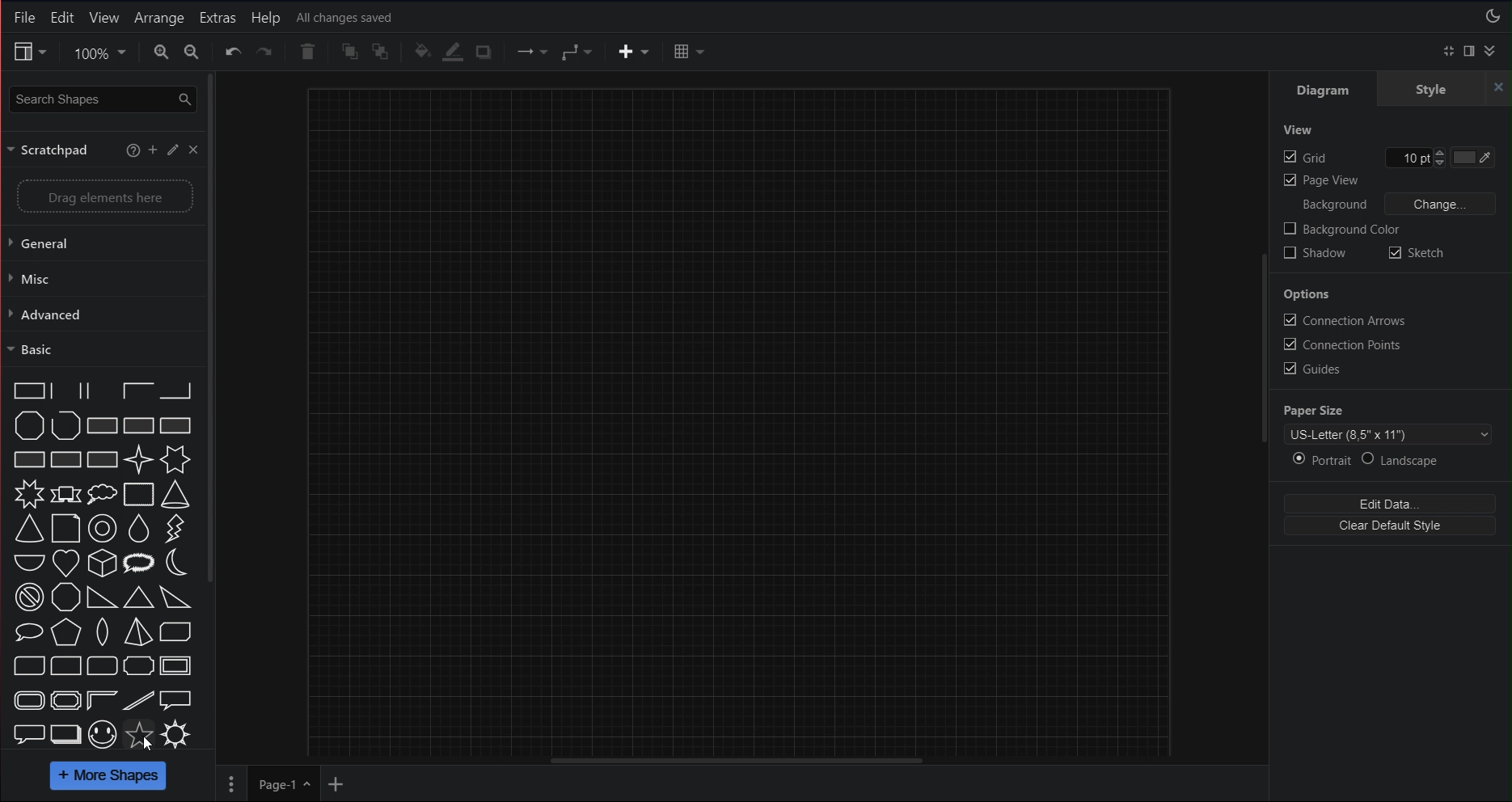 The height and width of the screenshot is (802, 1512). I want to click on Shadow, so click(483, 52).